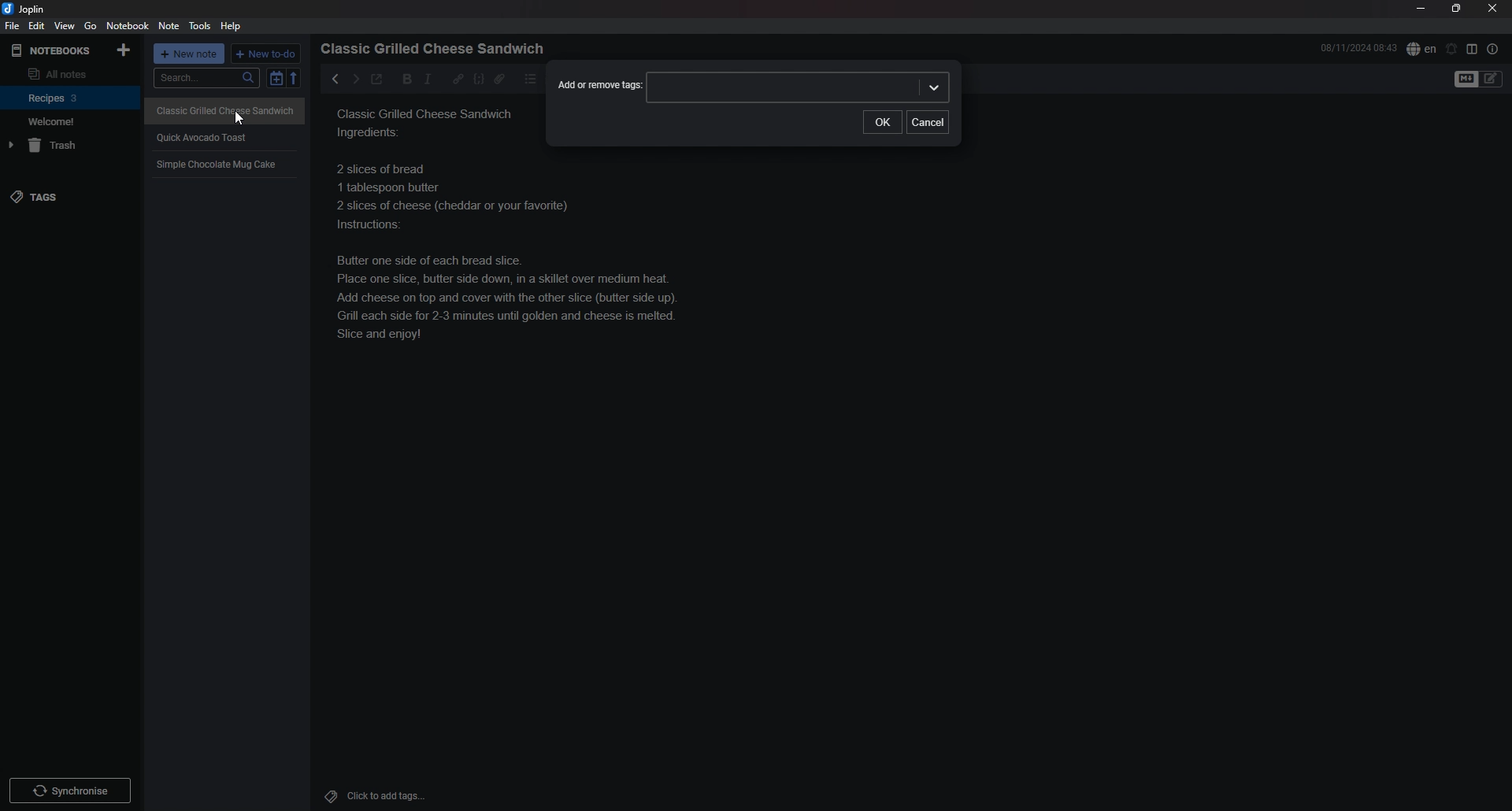 This screenshot has width=1512, height=811. I want to click on bold, so click(402, 80).